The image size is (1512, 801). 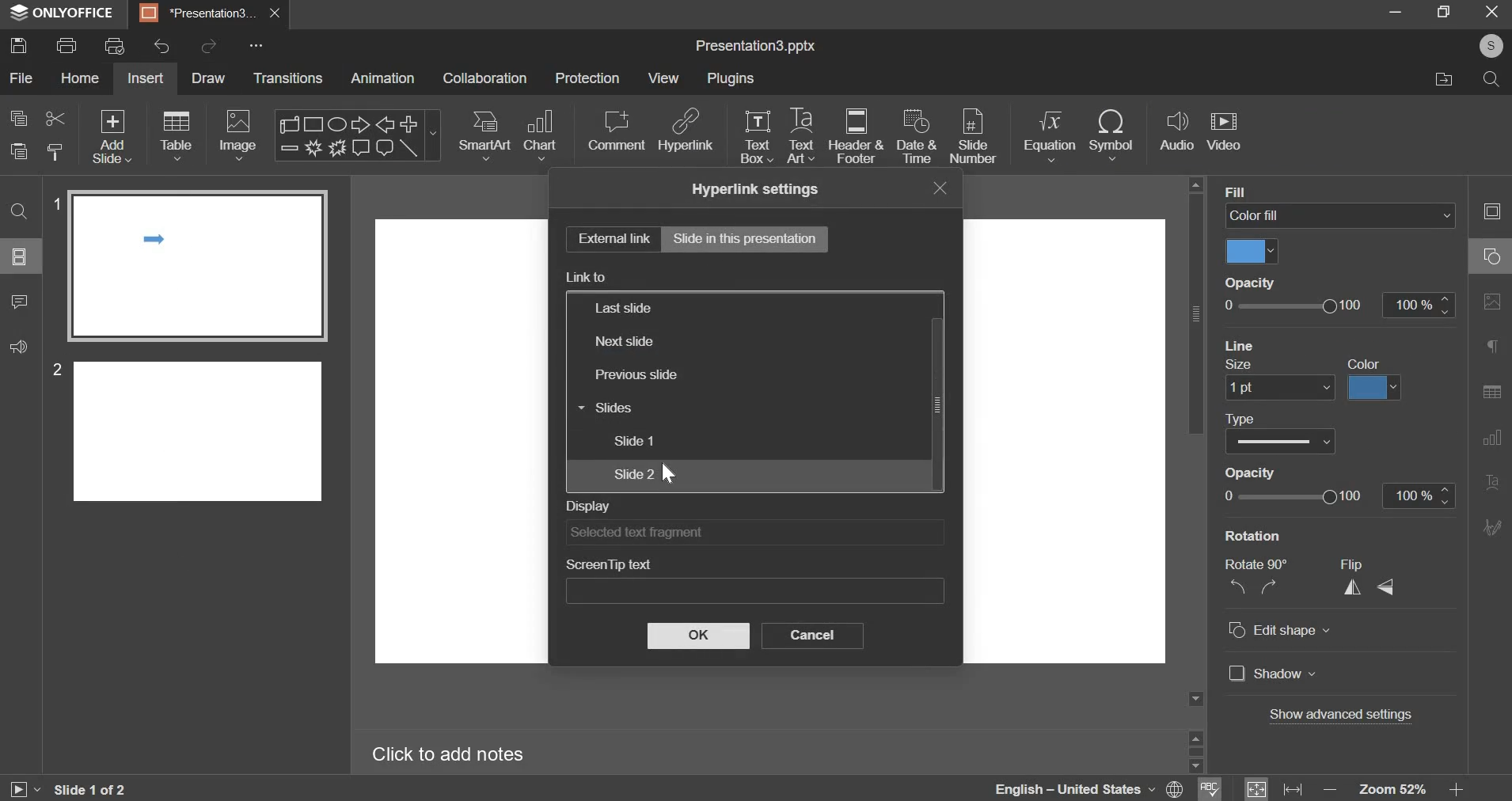 I want to click on Text Art settings, so click(x=1492, y=483).